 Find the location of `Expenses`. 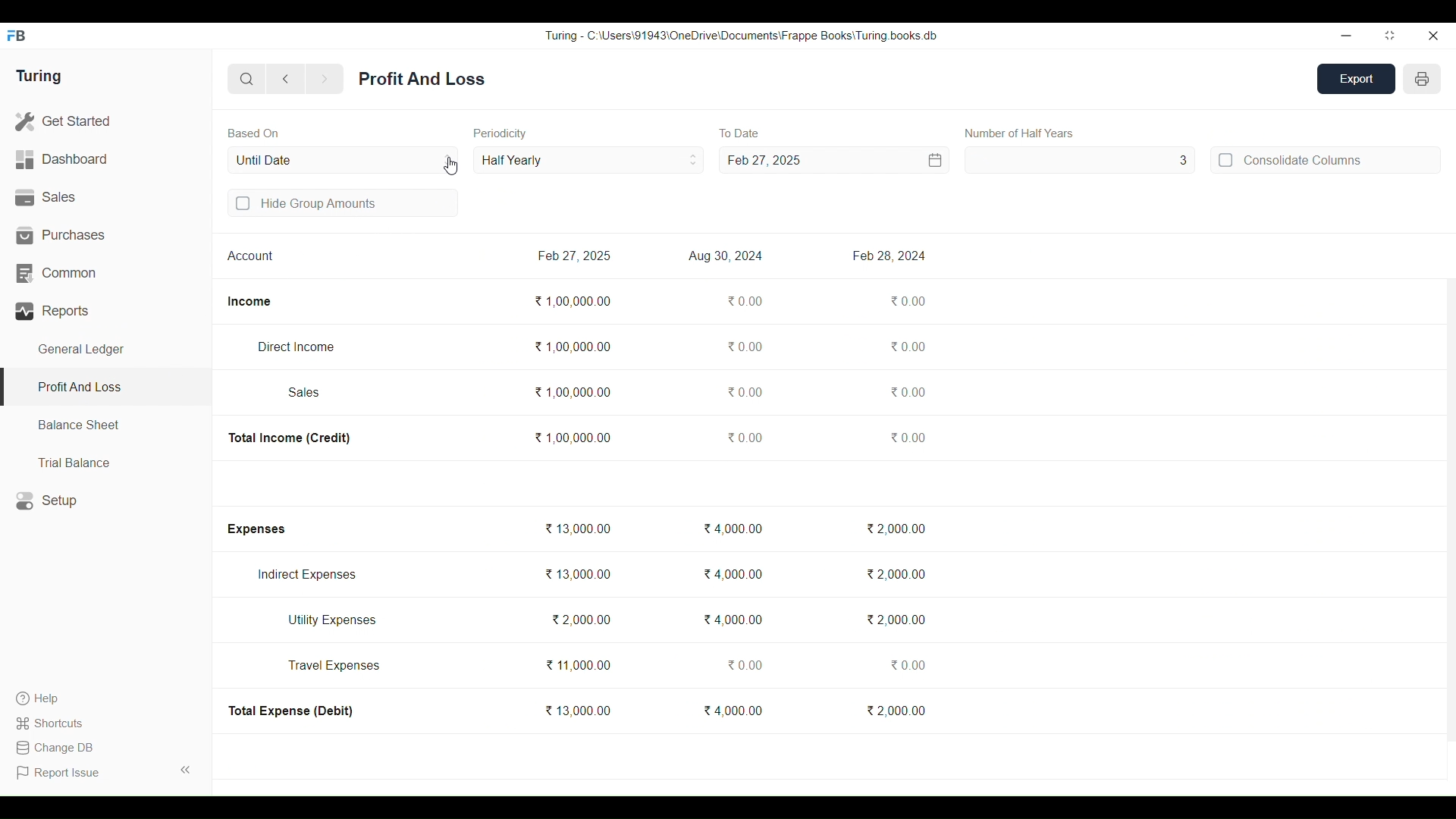

Expenses is located at coordinates (255, 529).